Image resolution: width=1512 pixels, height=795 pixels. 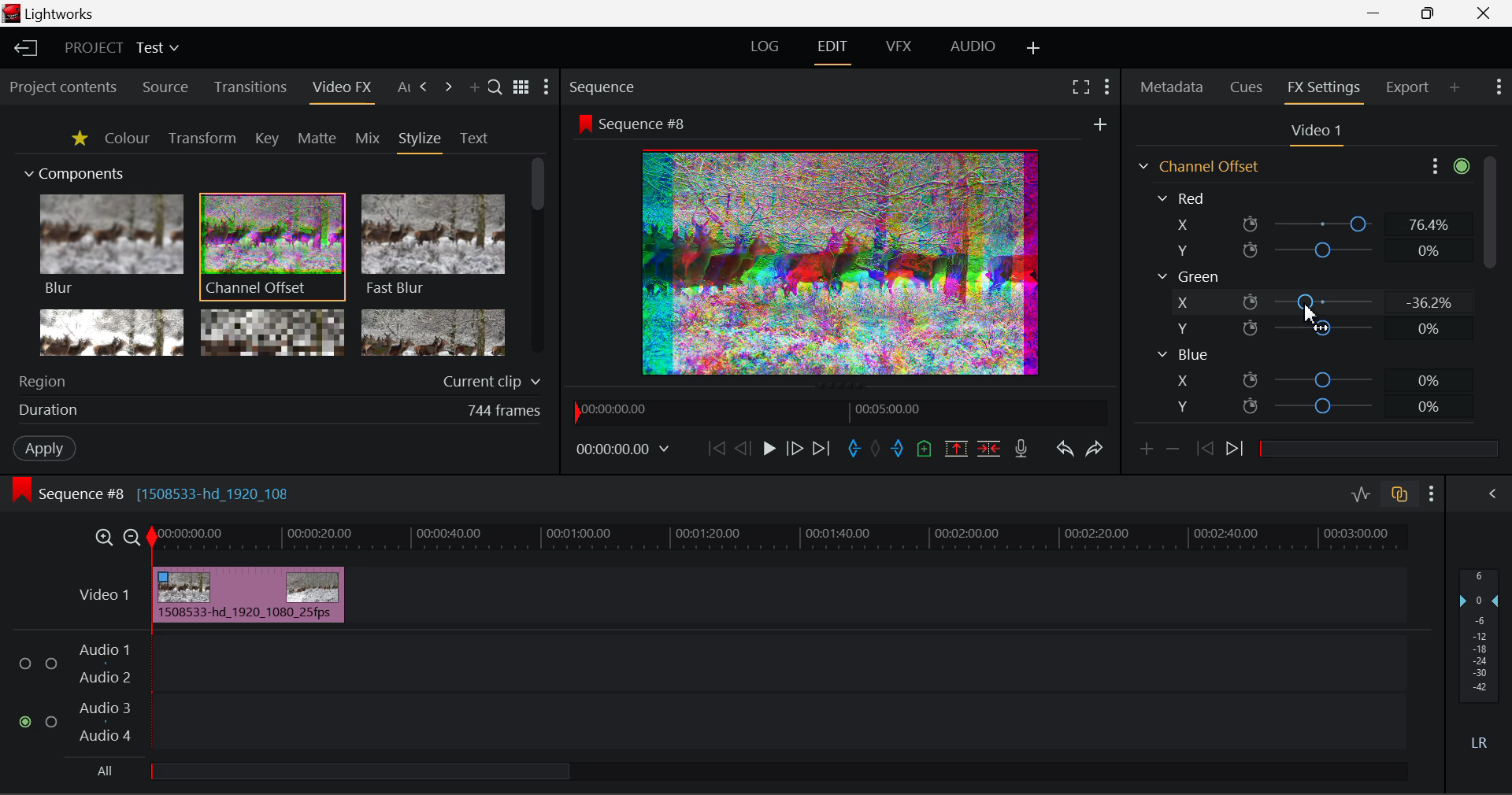 What do you see at coordinates (975, 50) in the screenshot?
I see `AUDIO Layout` at bounding box center [975, 50].